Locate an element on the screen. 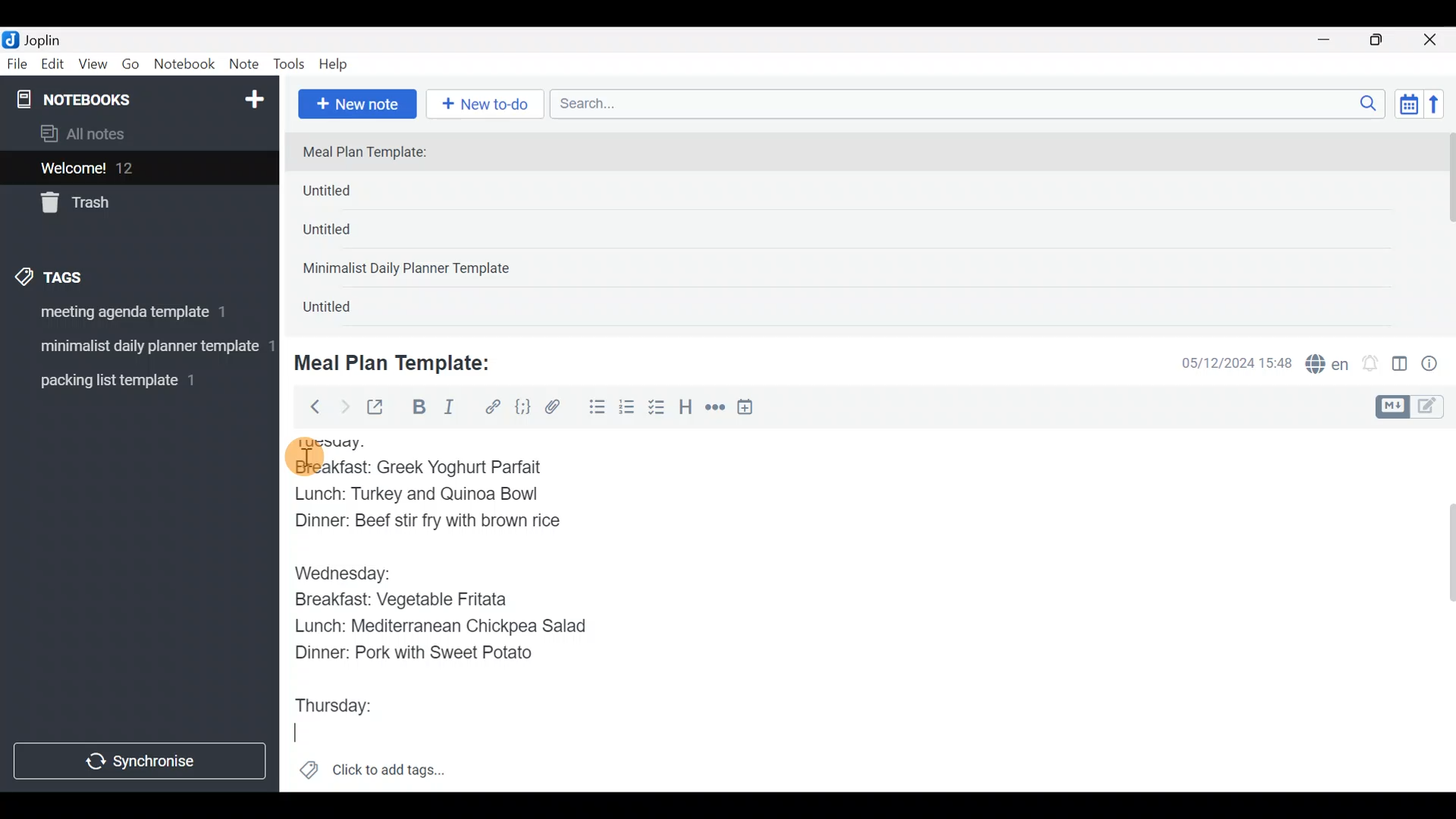  Bold is located at coordinates (418, 409).